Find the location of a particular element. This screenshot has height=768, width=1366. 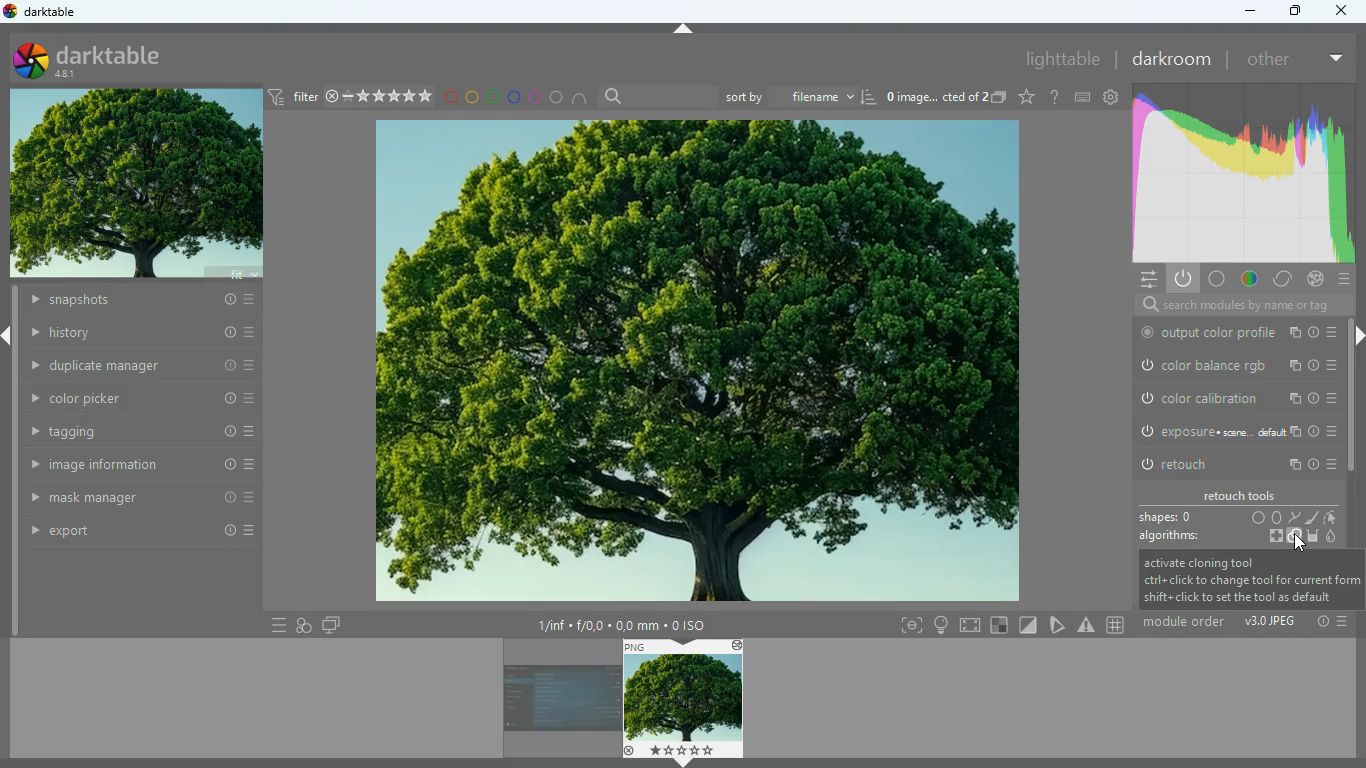

copy is located at coordinates (998, 97).